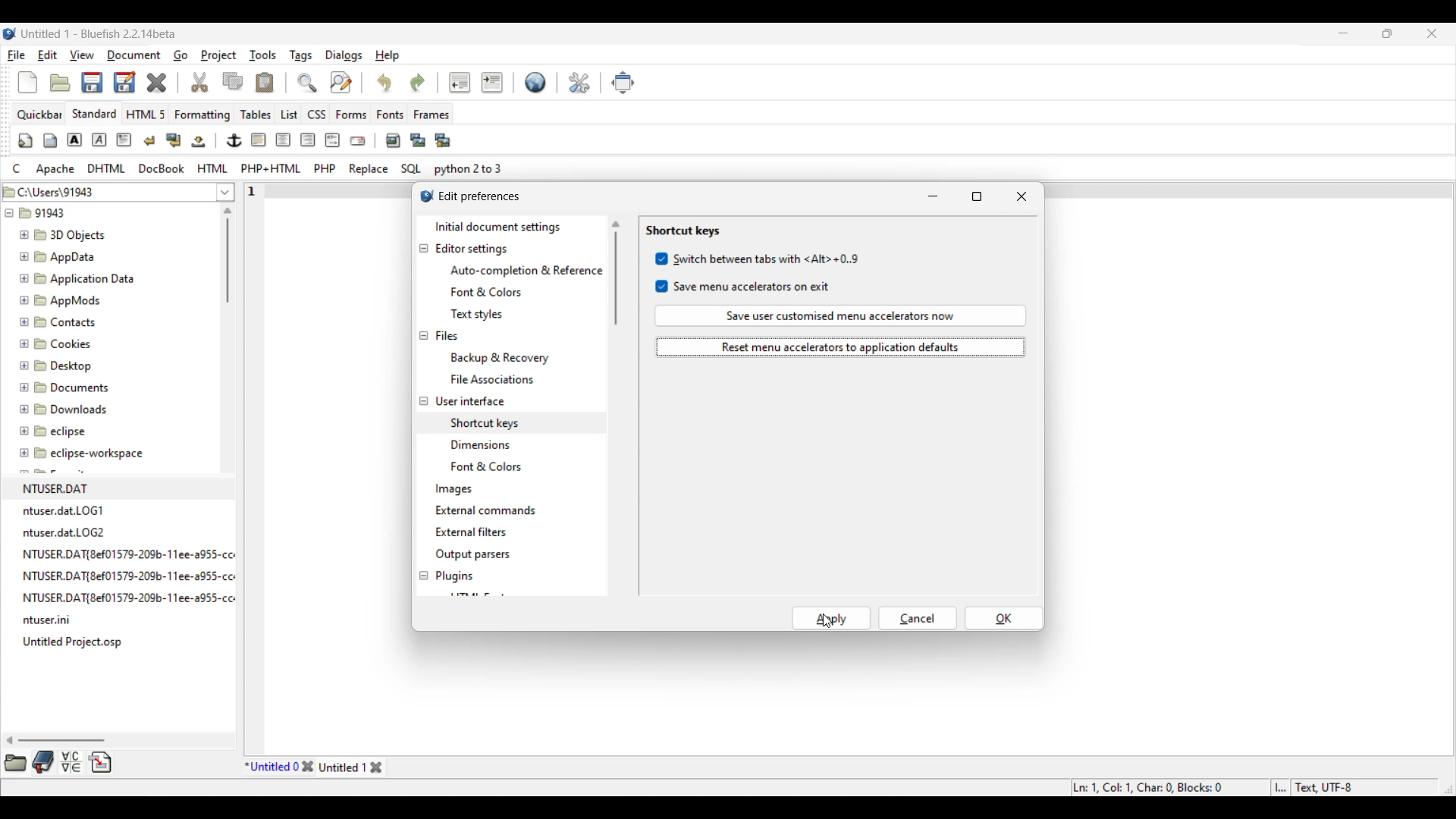 This screenshot has width=1456, height=819. What do you see at coordinates (1021, 196) in the screenshot?
I see `Close` at bounding box center [1021, 196].